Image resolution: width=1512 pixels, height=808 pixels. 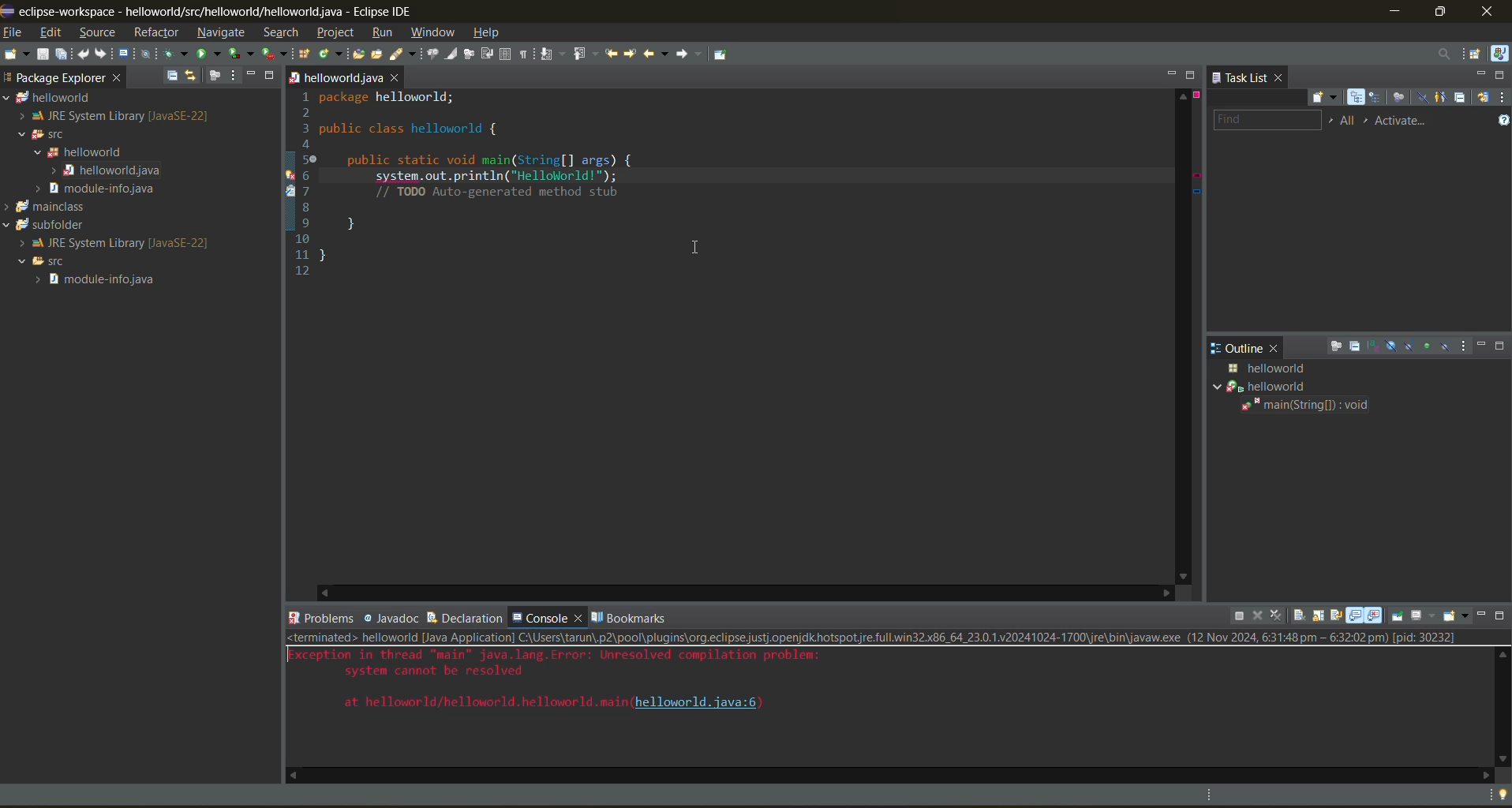 I want to click on clear console, so click(x=1301, y=616).